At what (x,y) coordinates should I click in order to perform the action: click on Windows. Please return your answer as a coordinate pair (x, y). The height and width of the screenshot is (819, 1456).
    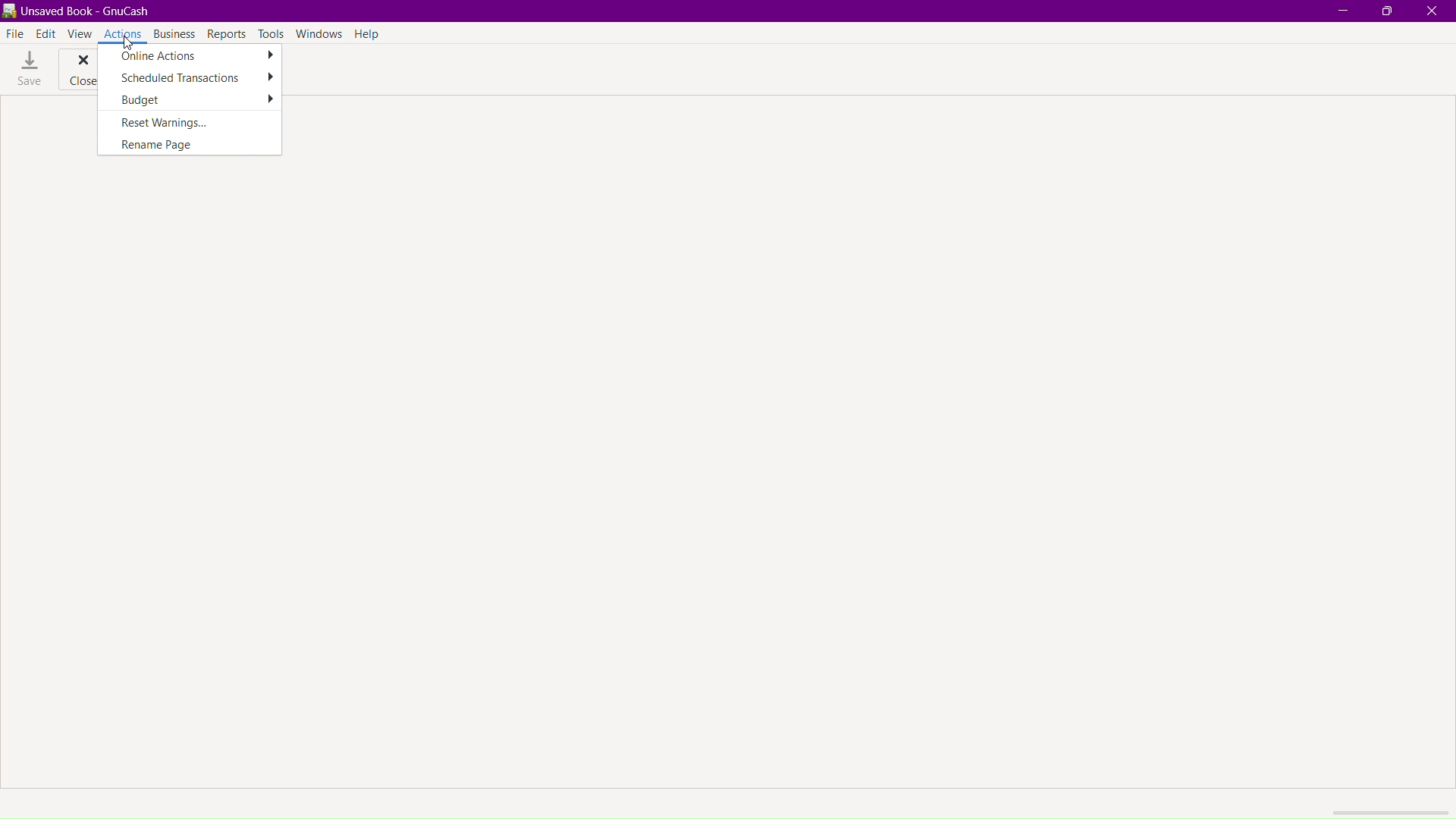
    Looking at the image, I should click on (322, 32).